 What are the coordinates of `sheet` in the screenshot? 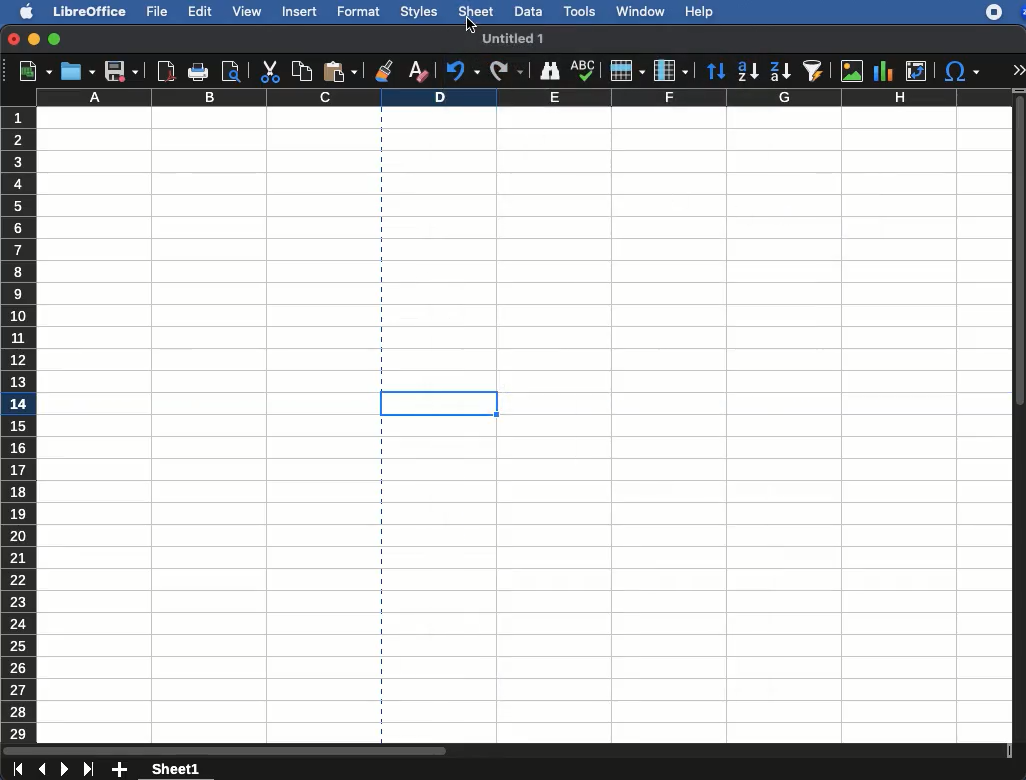 It's located at (477, 10).